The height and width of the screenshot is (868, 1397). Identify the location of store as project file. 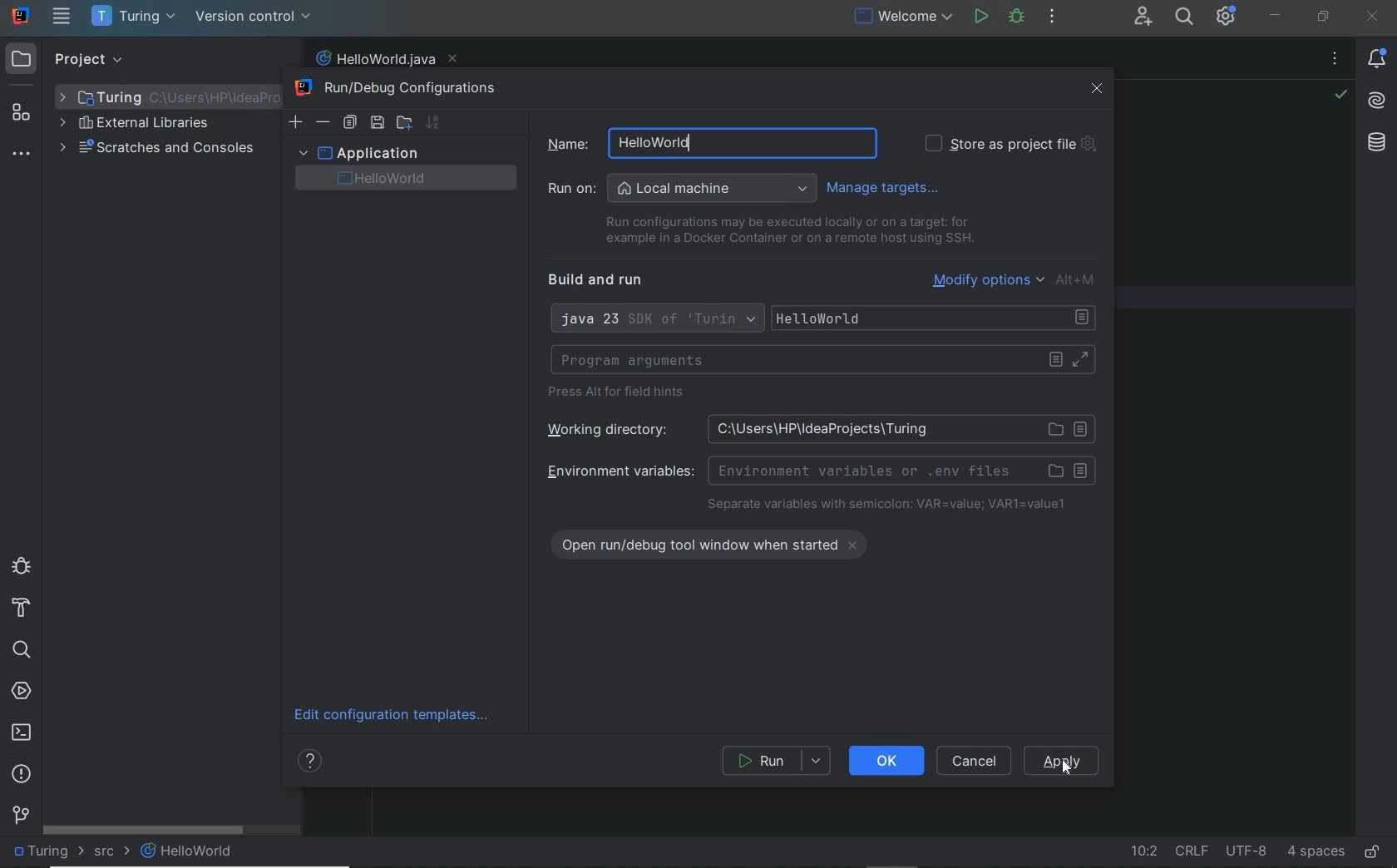
(1009, 144).